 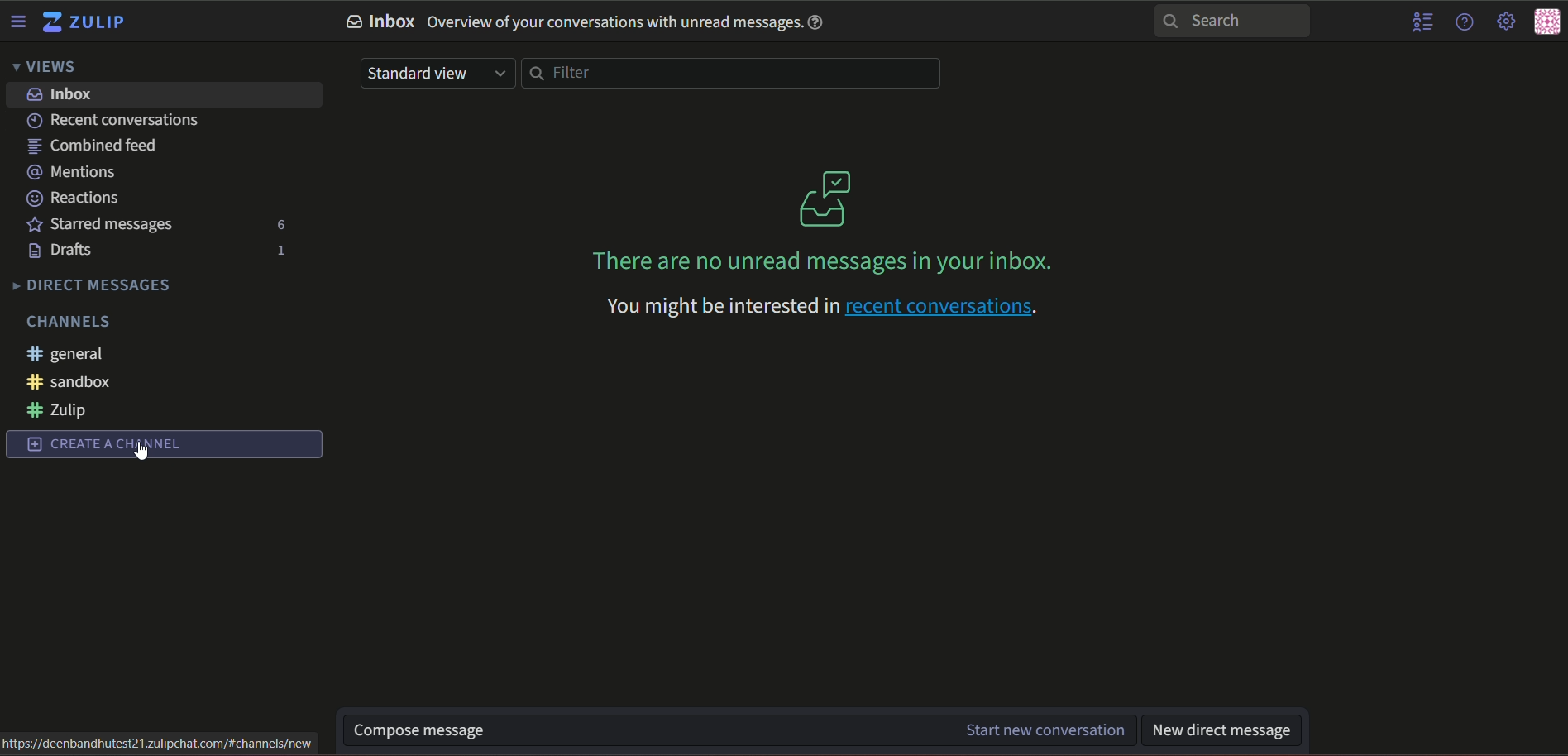 I want to click on https://deenbandhutest21.zulipchat.com/#channels/new, so click(x=163, y=741).